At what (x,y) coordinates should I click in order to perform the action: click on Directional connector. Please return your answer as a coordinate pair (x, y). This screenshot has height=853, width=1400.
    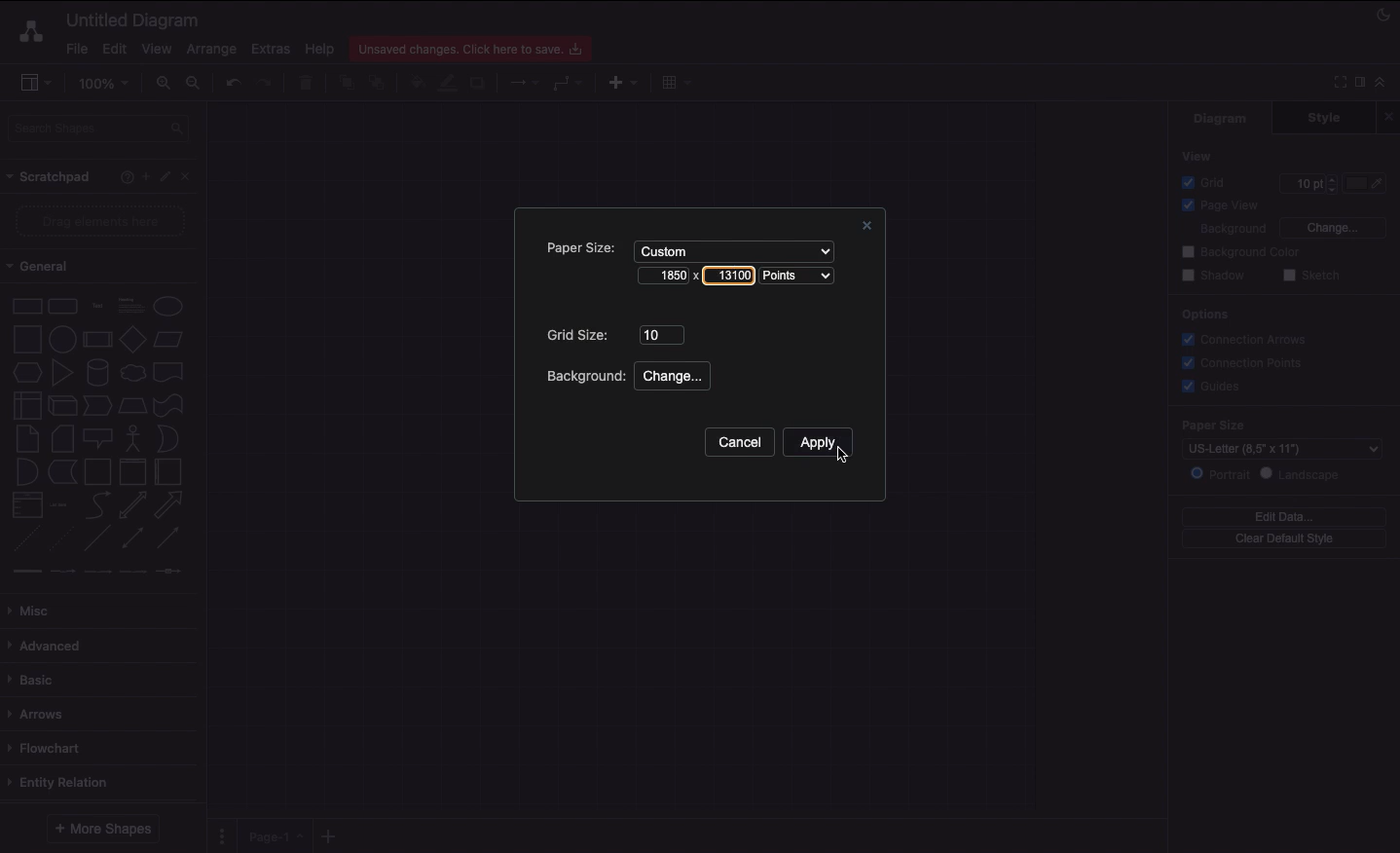
    Looking at the image, I should click on (171, 538).